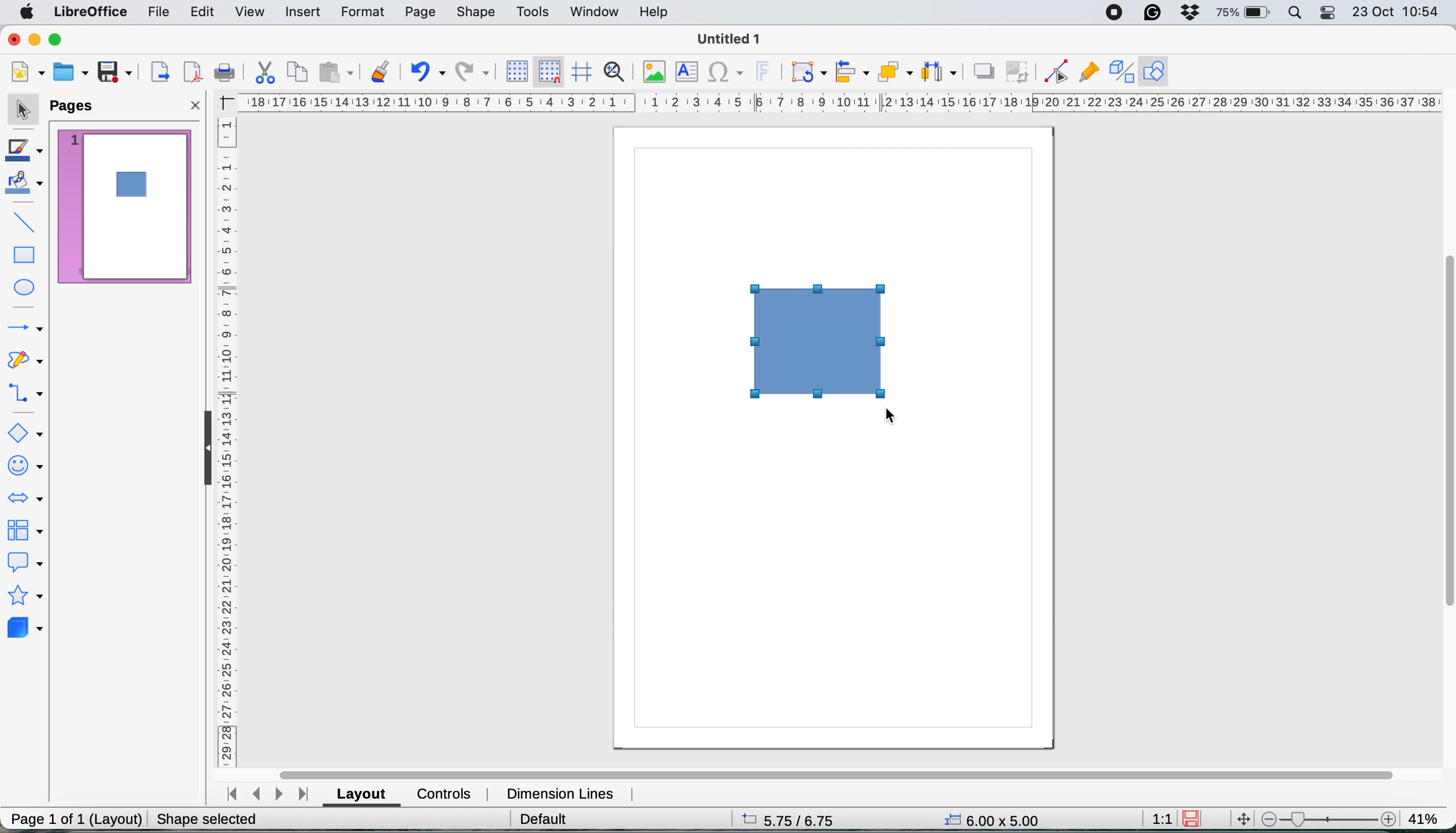  I want to click on resize shape, so click(201, 818).